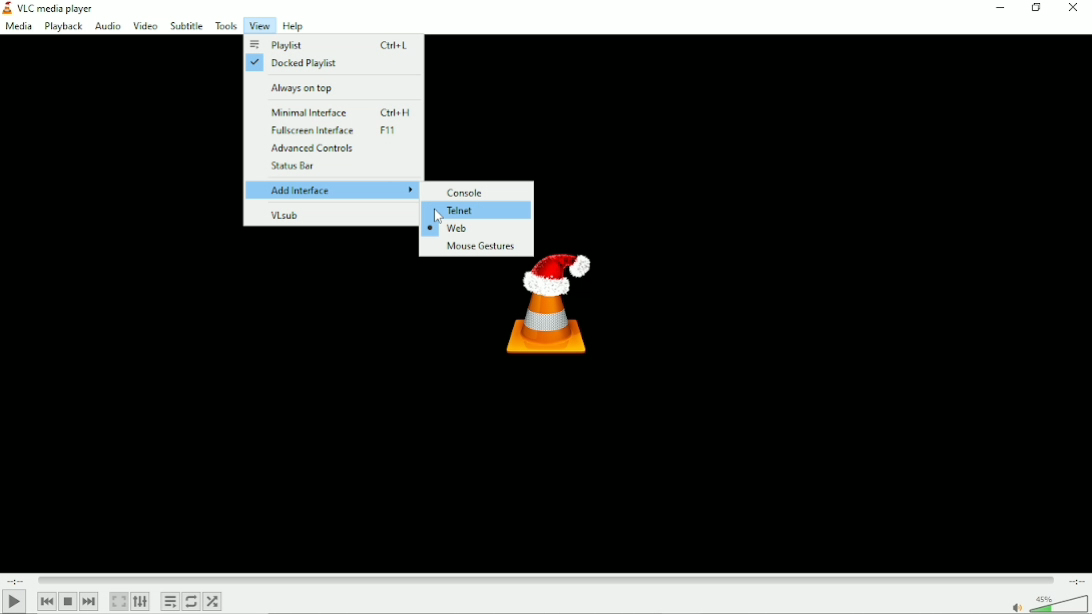 The width and height of the screenshot is (1092, 614). I want to click on Fullscreen interface, so click(341, 131).